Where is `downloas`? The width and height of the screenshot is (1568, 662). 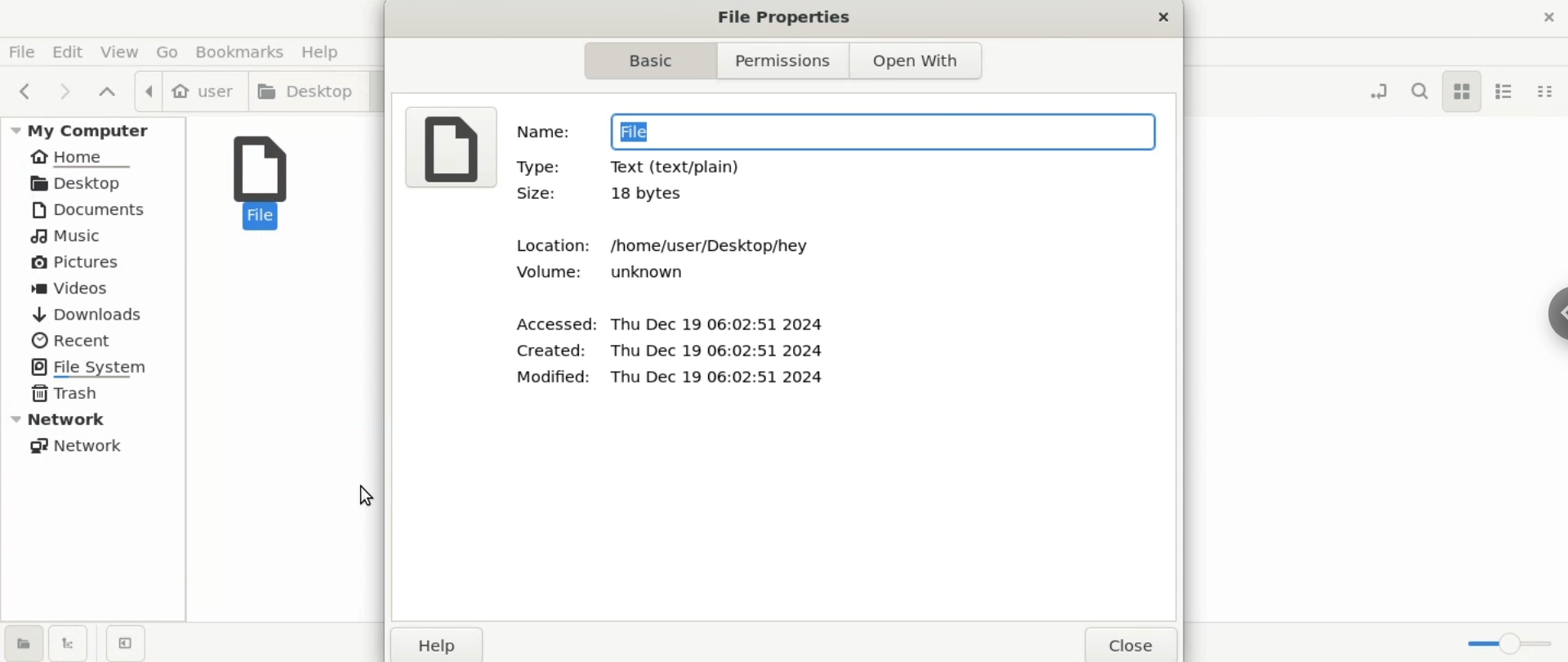
downloas is located at coordinates (94, 314).